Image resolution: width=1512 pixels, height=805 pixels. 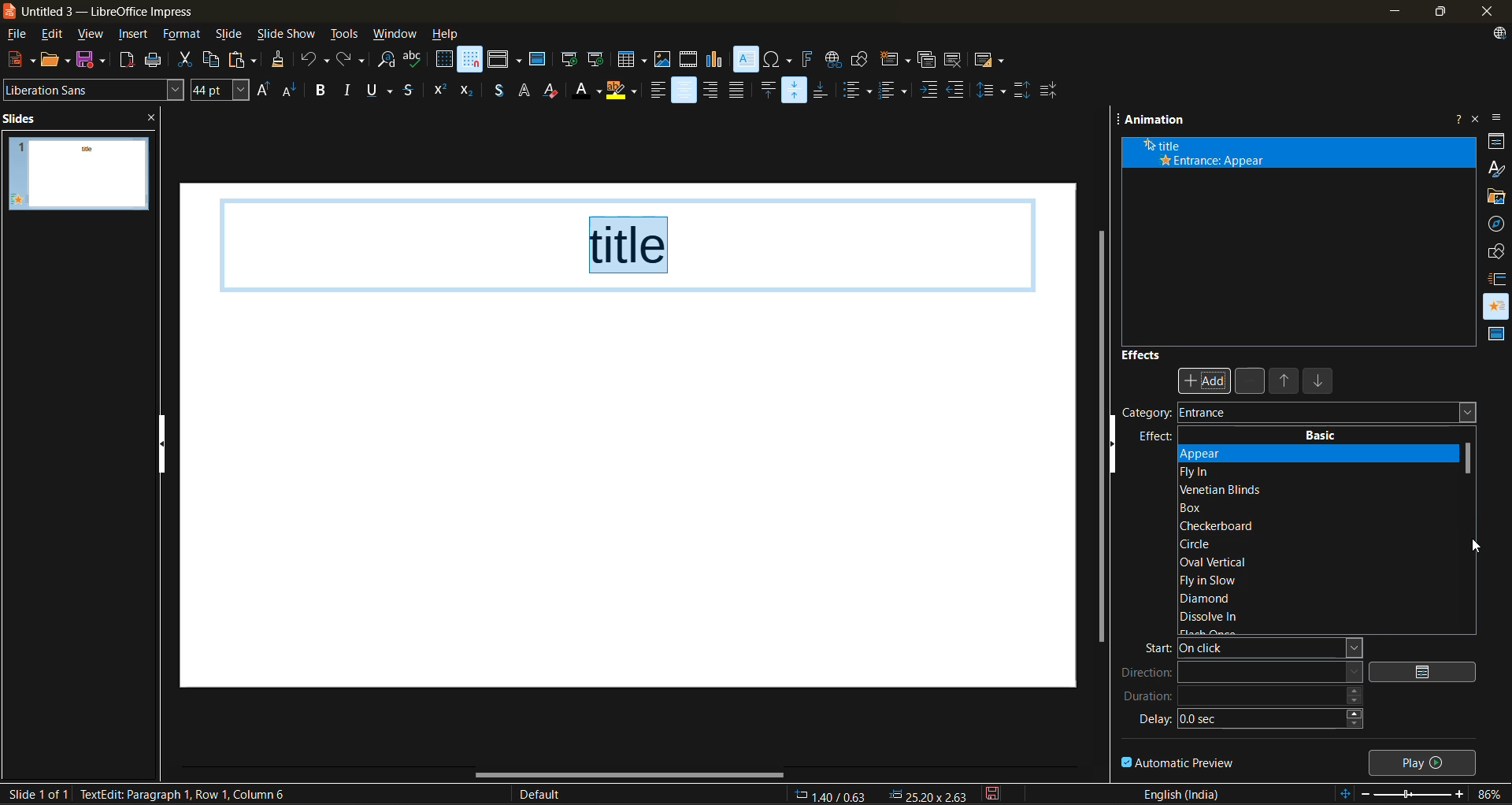 What do you see at coordinates (9, 10) in the screenshot?
I see `logo` at bounding box center [9, 10].